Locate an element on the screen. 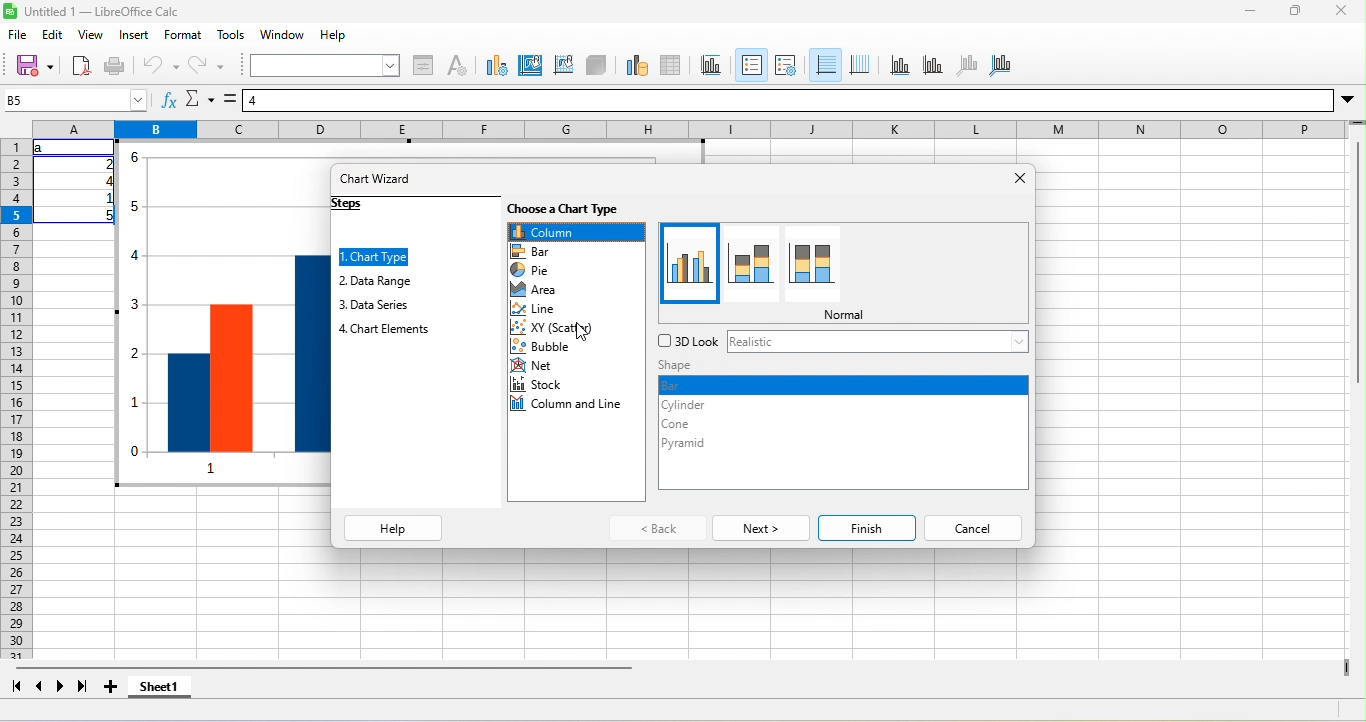 The height and width of the screenshot is (722, 1366). function wizard is located at coordinates (170, 99).